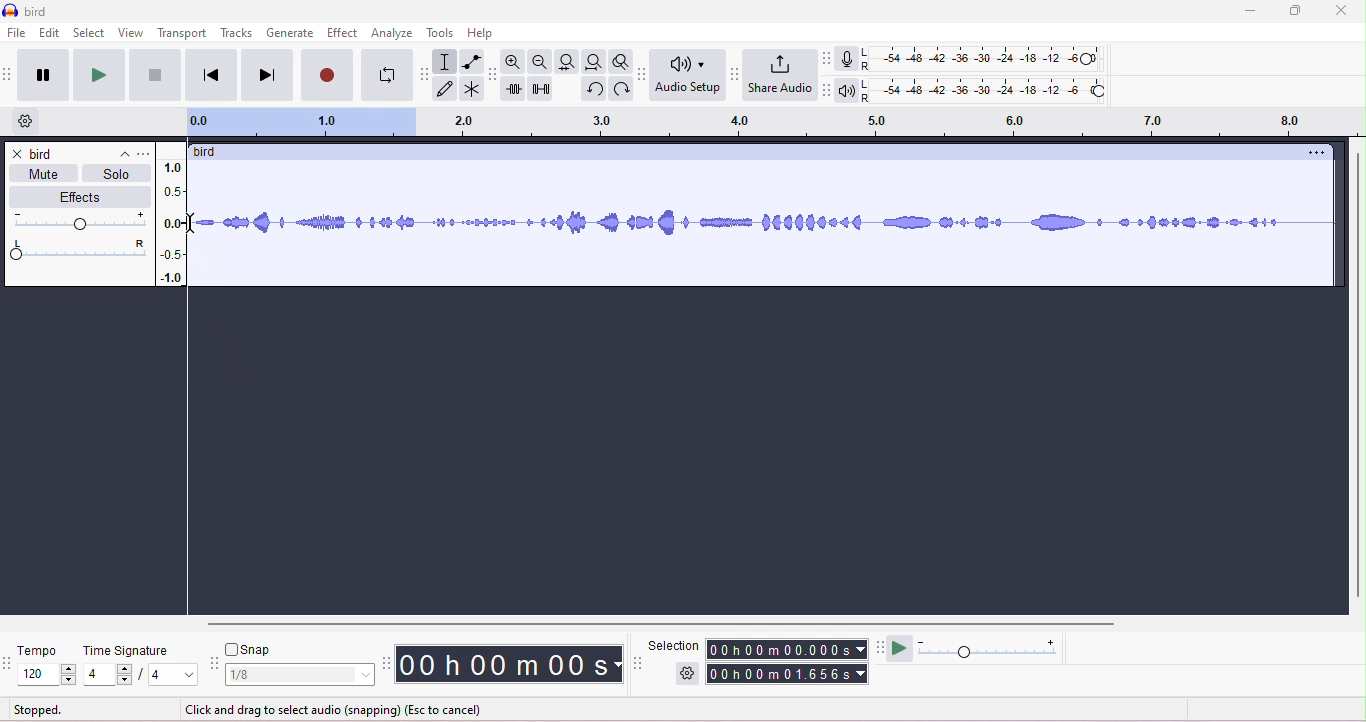 This screenshot has height=722, width=1366. Describe the element at coordinates (1356, 376) in the screenshot. I see `vertical scroll bar` at that location.